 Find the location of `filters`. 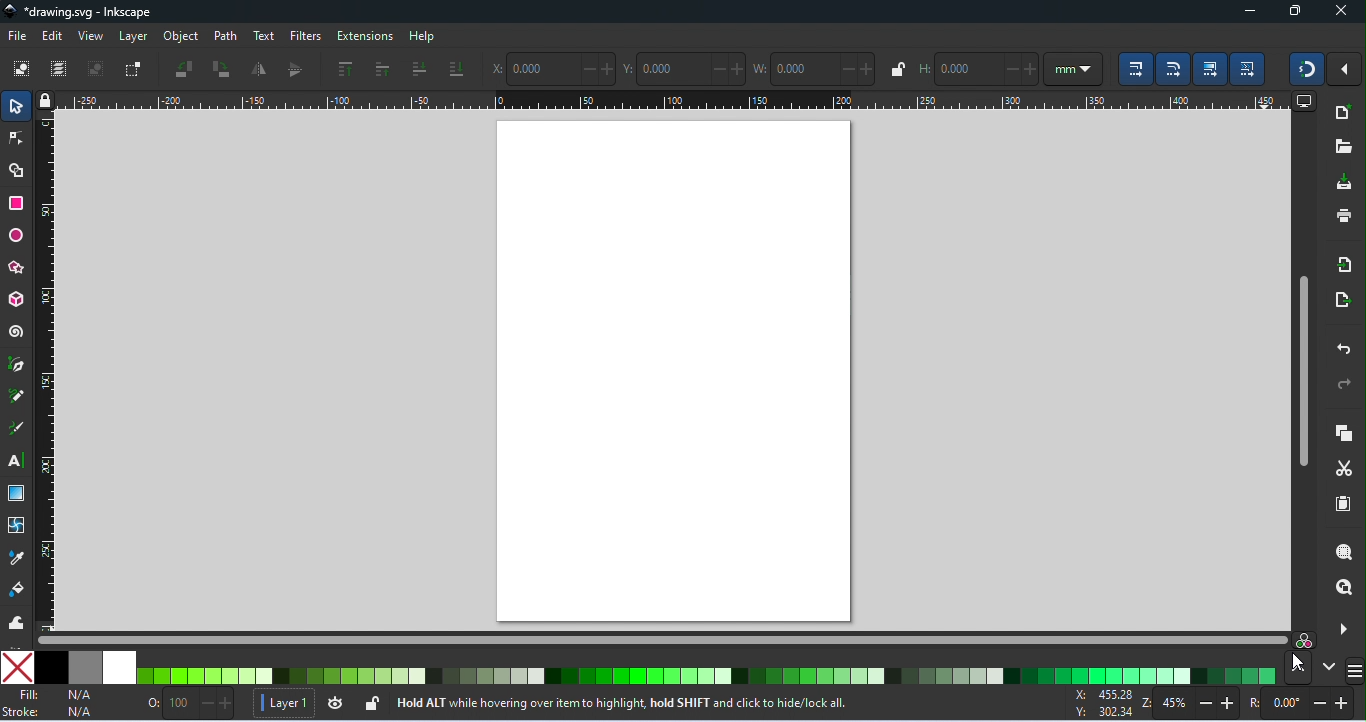

filters is located at coordinates (303, 36).